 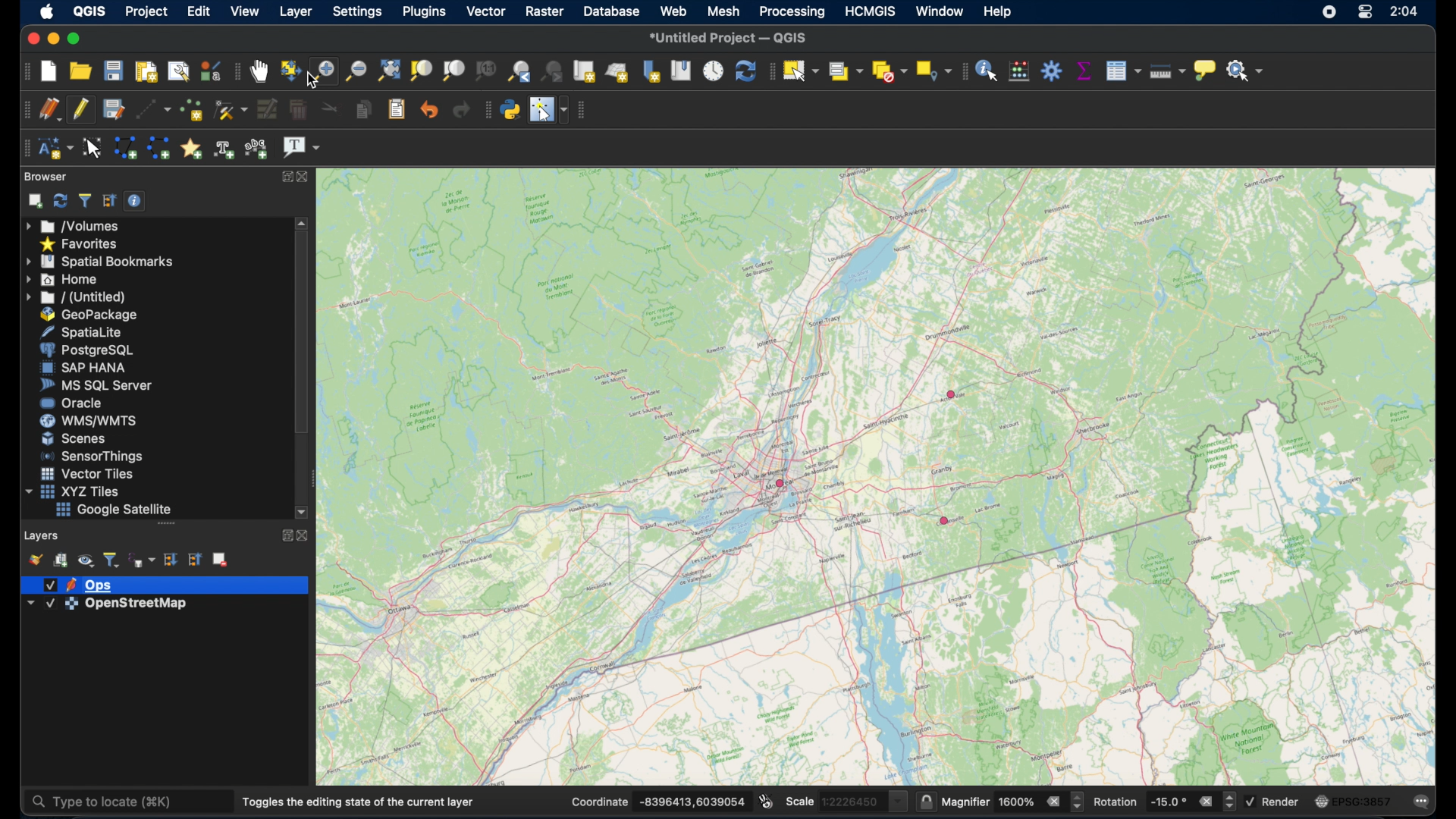 What do you see at coordinates (75, 39) in the screenshot?
I see `maximize` at bounding box center [75, 39].